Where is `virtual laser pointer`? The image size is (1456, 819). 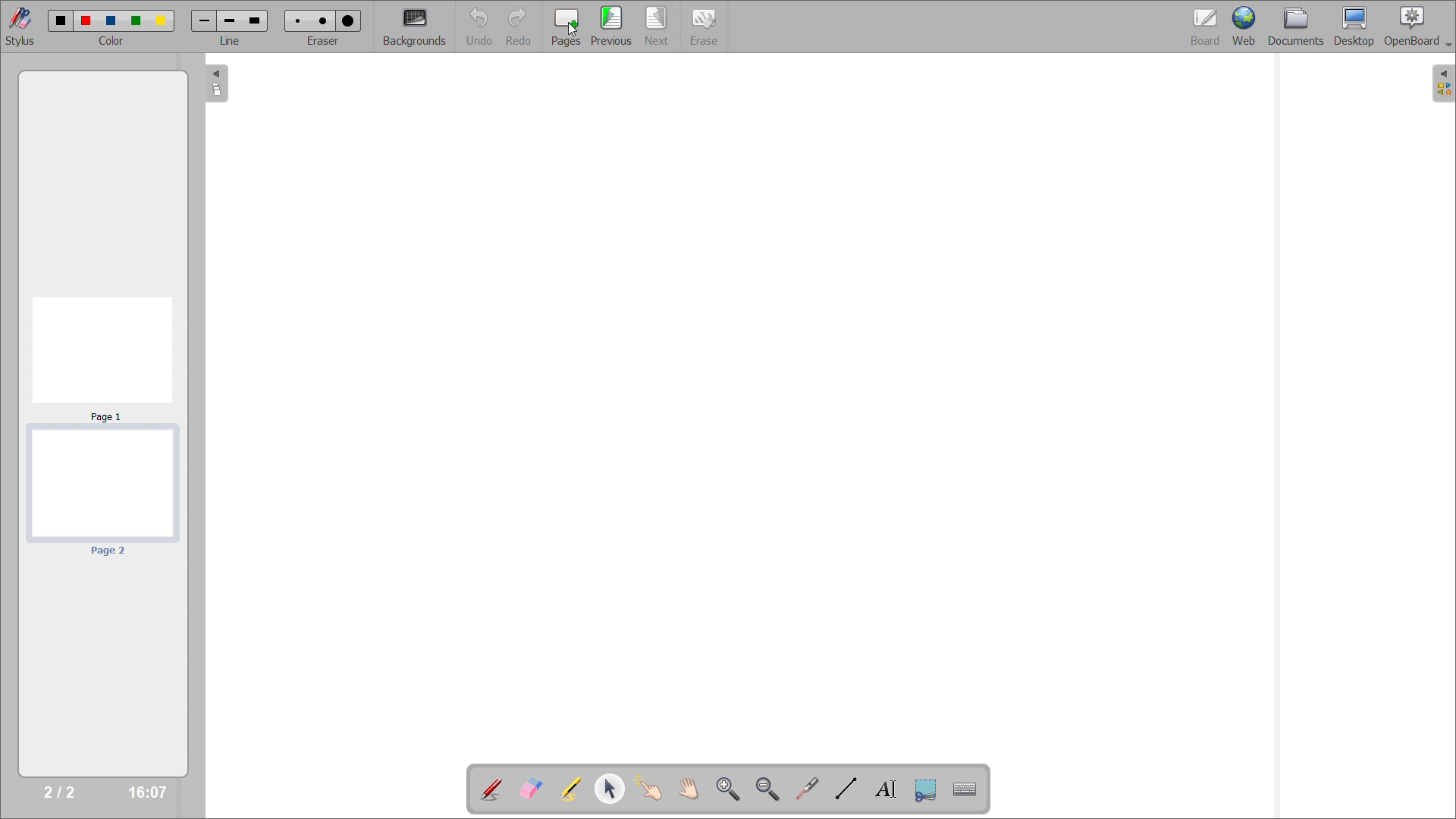
virtual laser pointer is located at coordinates (805, 788).